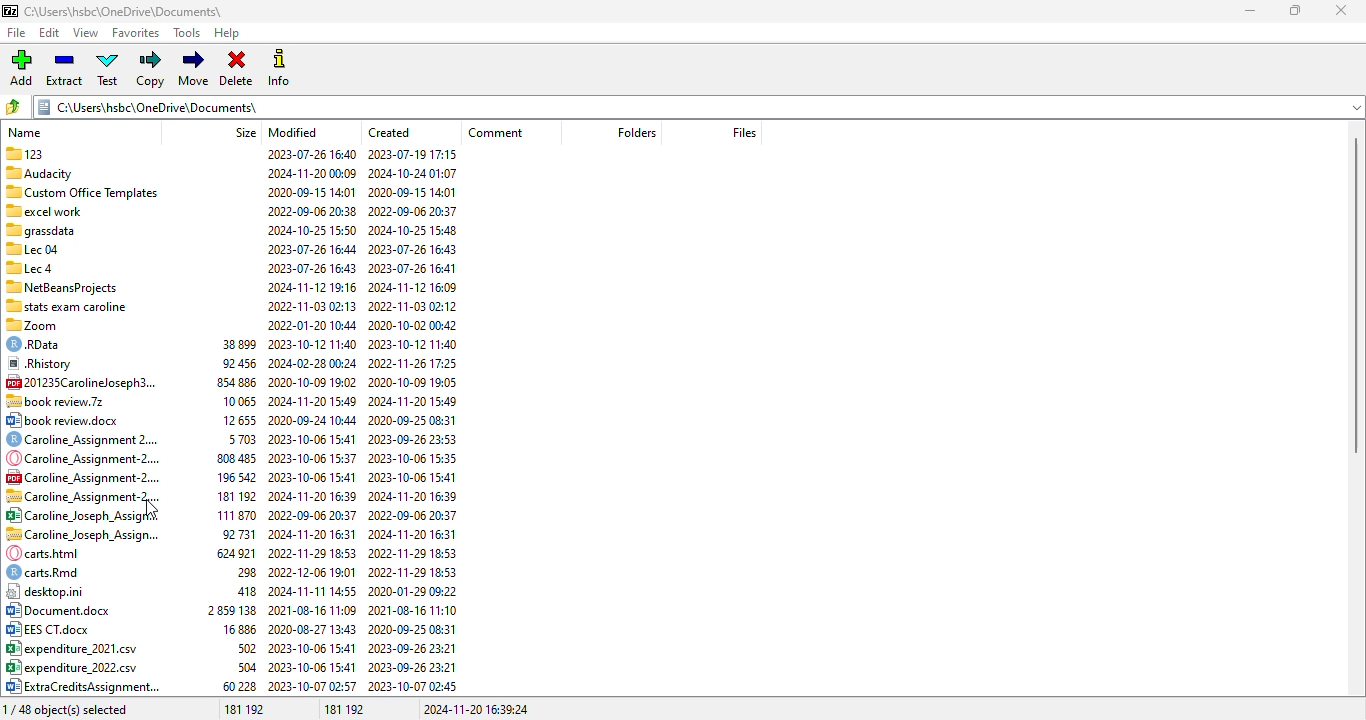 The height and width of the screenshot is (720, 1366). Describe the element at coordinates (390, 132) in the screenshot. I see `created` at that location.